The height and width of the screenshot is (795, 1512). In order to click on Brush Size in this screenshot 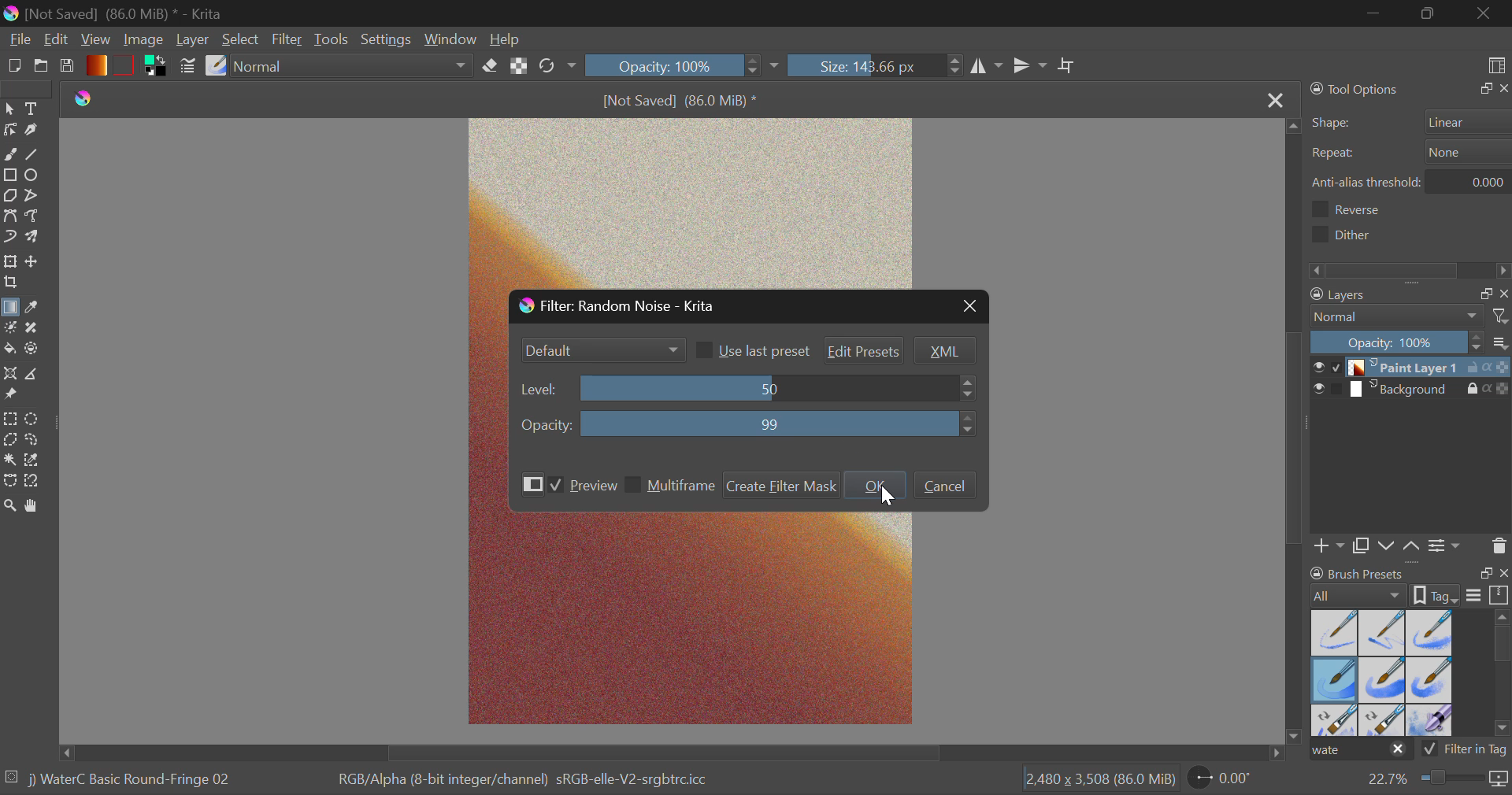, I will do `click(880, 66)`.